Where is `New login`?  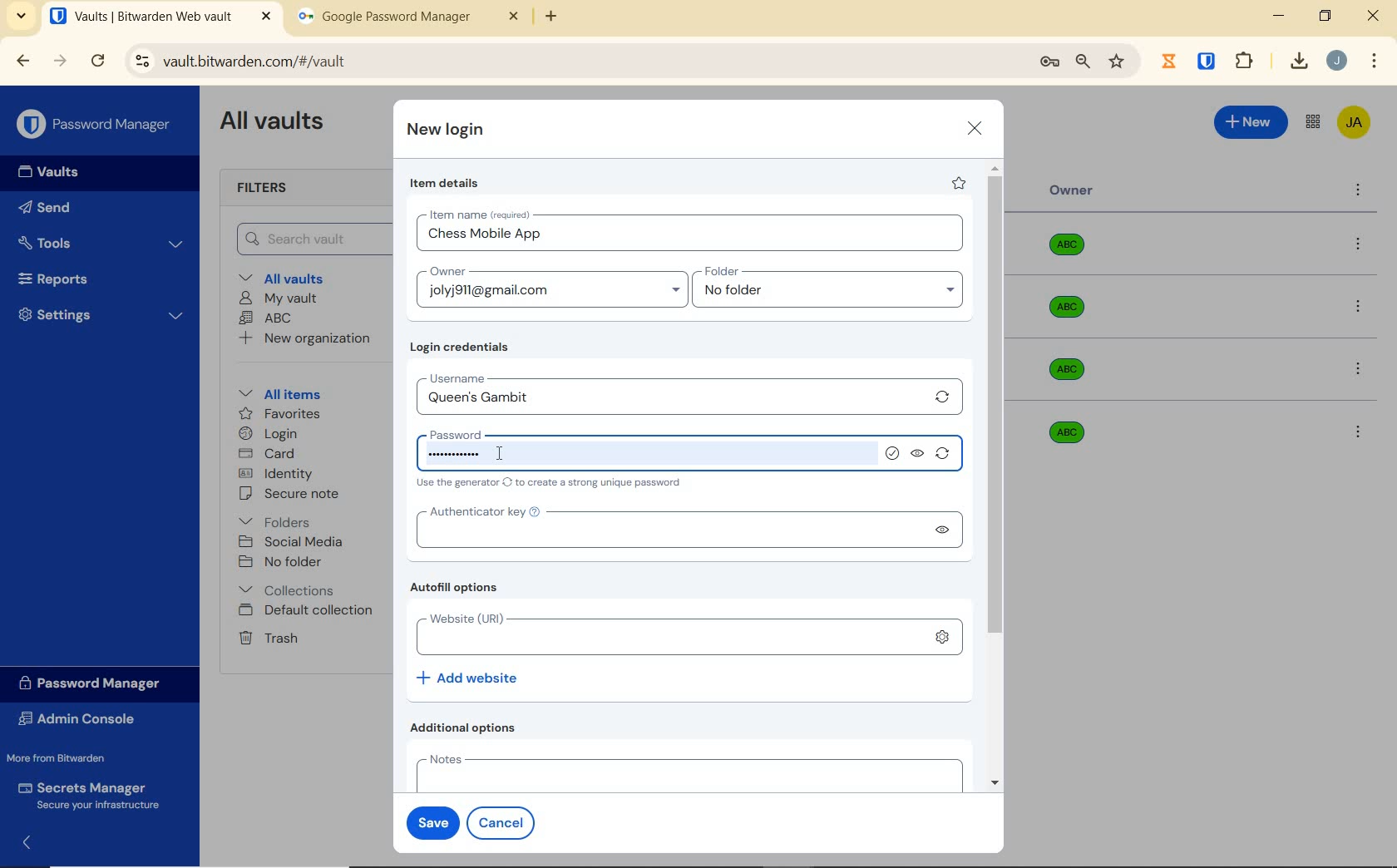 New login is located at coordinates (447, 131).